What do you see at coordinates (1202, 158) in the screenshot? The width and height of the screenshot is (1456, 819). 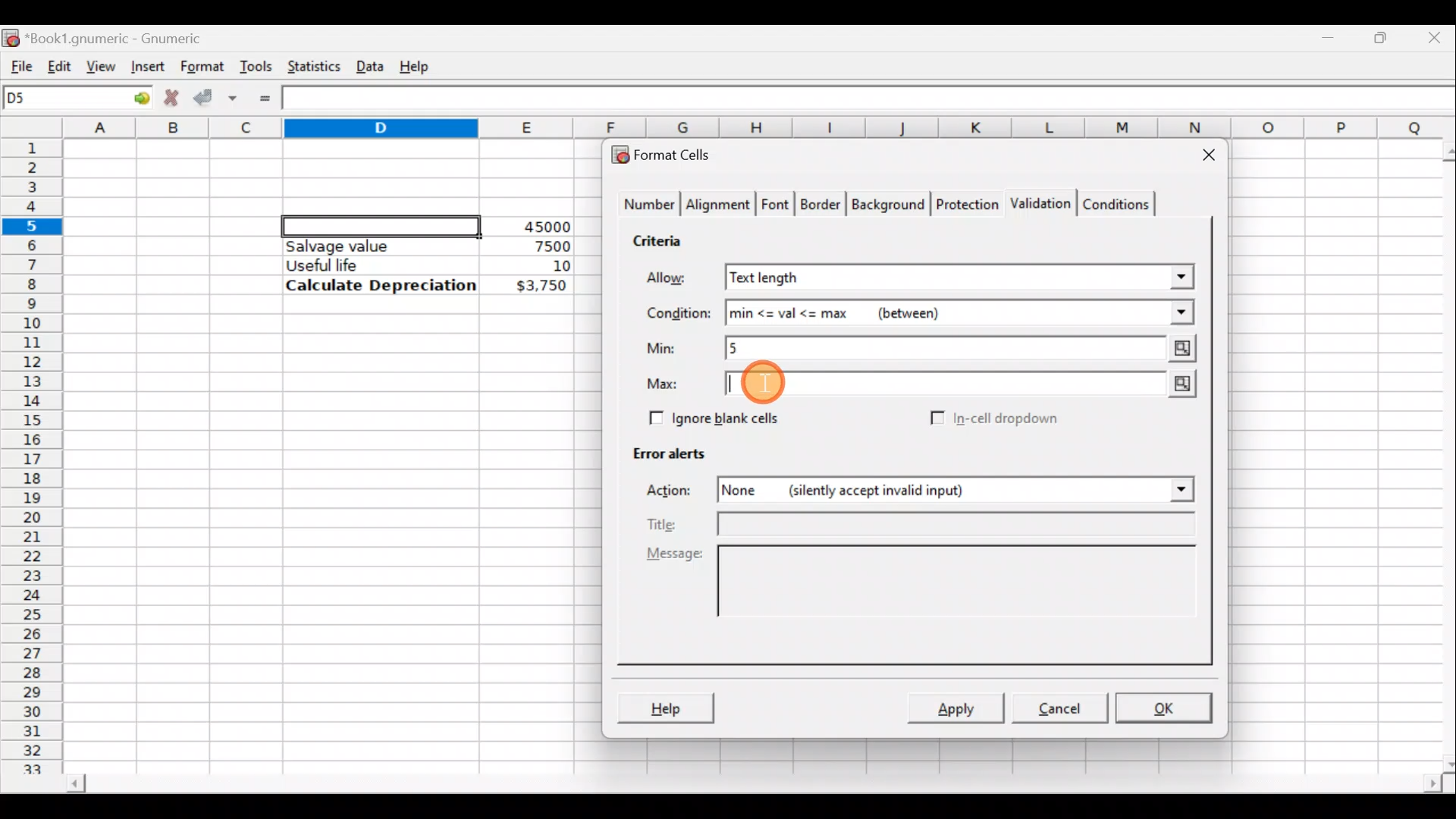 I see `Close` at bounding box center [1202, 158].